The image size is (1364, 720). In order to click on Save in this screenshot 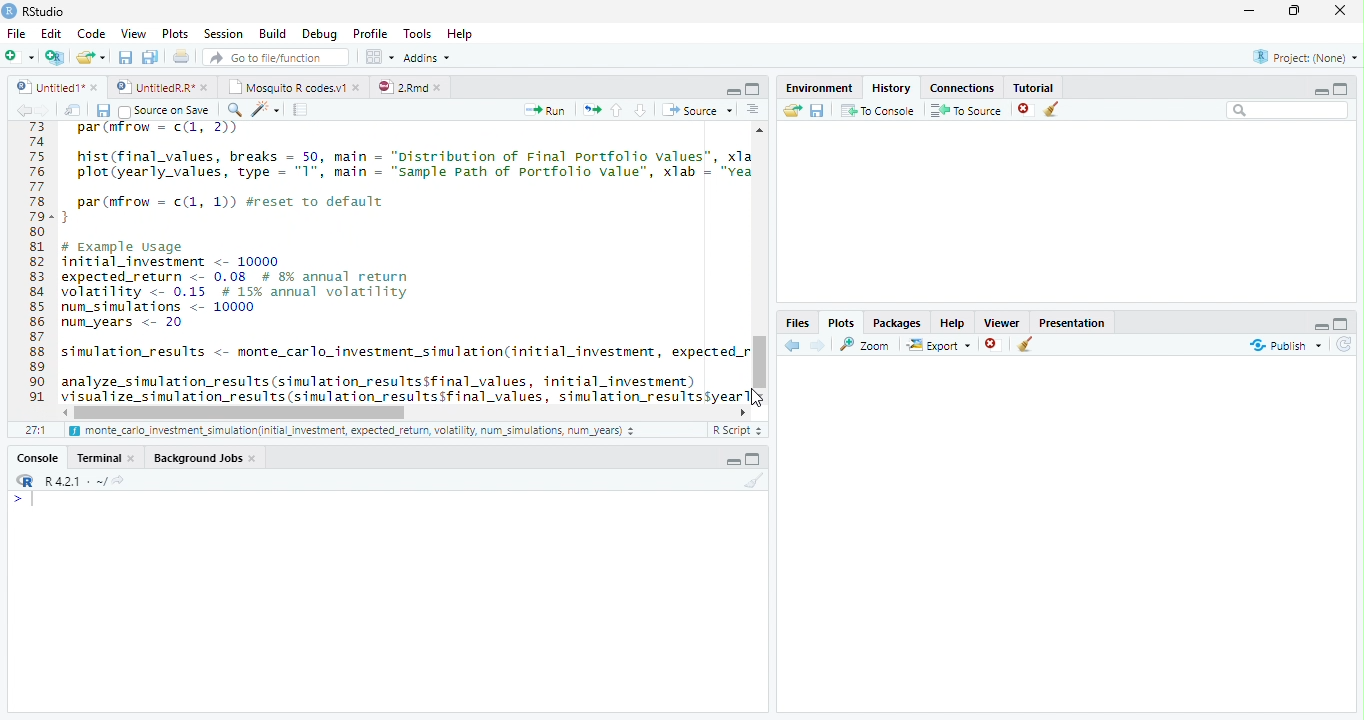, I will do `click(817, 110)`.